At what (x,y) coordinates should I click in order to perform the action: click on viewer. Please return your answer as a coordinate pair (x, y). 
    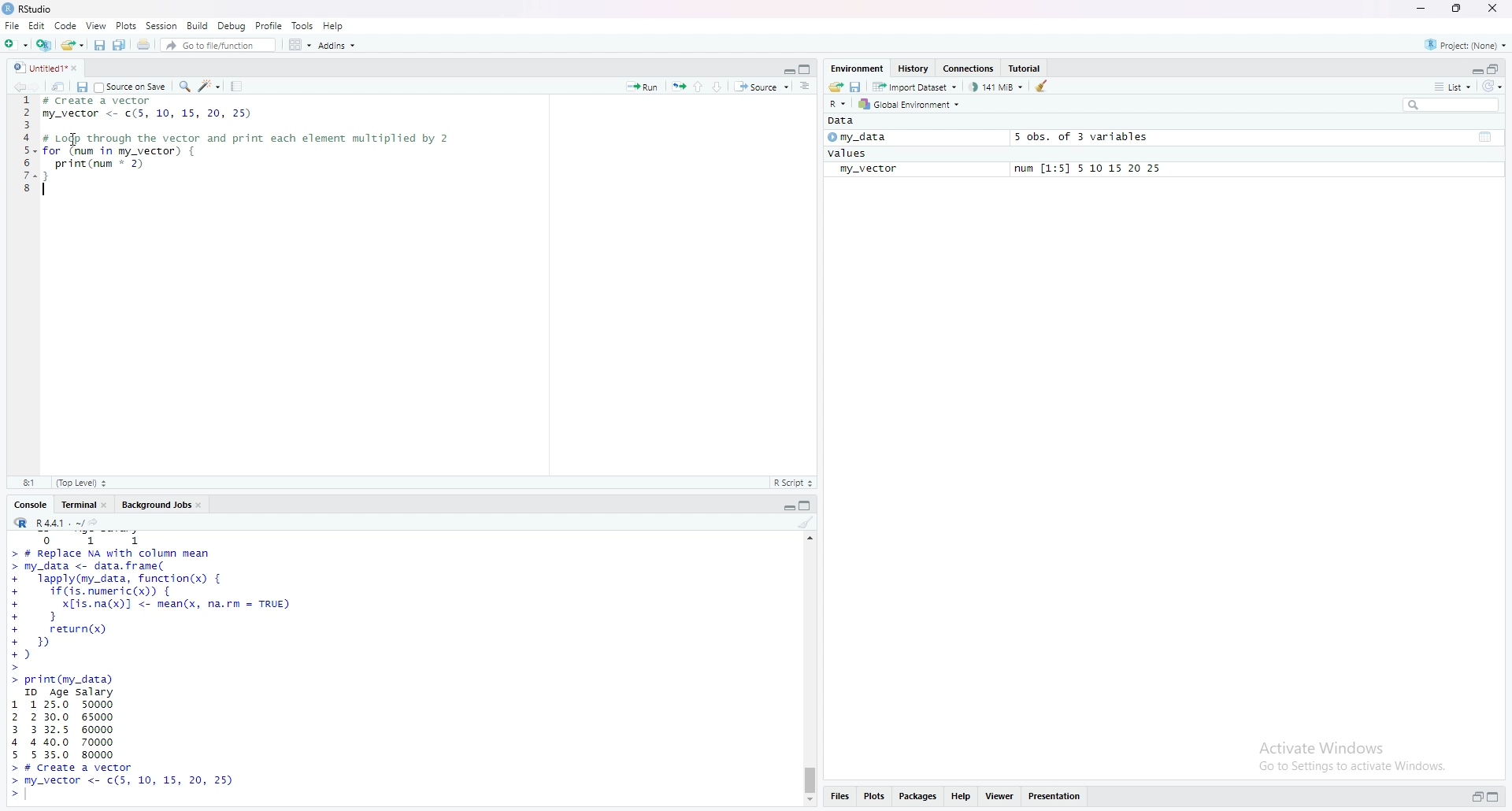
    Looking at the image, I should click on (1001, 794).